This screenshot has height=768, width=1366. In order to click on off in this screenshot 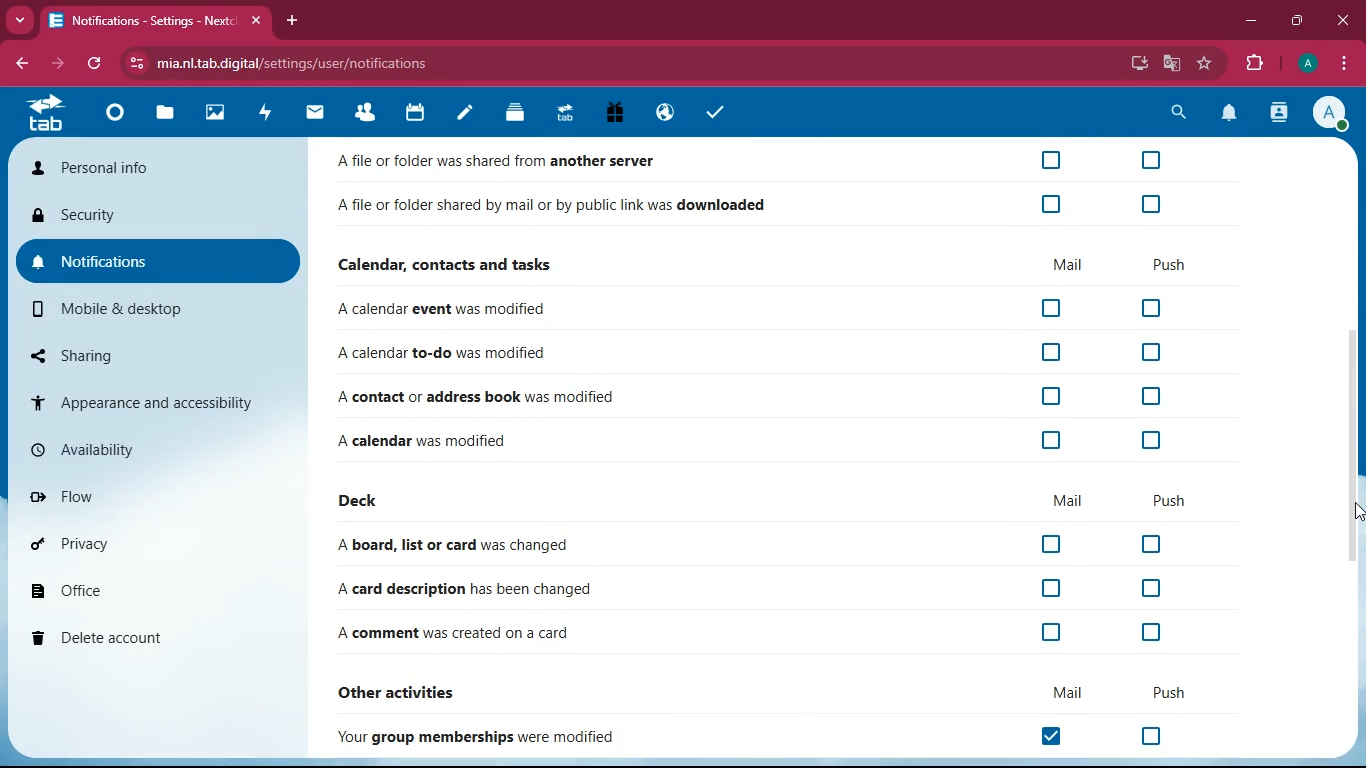, I will do `click(1152, 309)`.